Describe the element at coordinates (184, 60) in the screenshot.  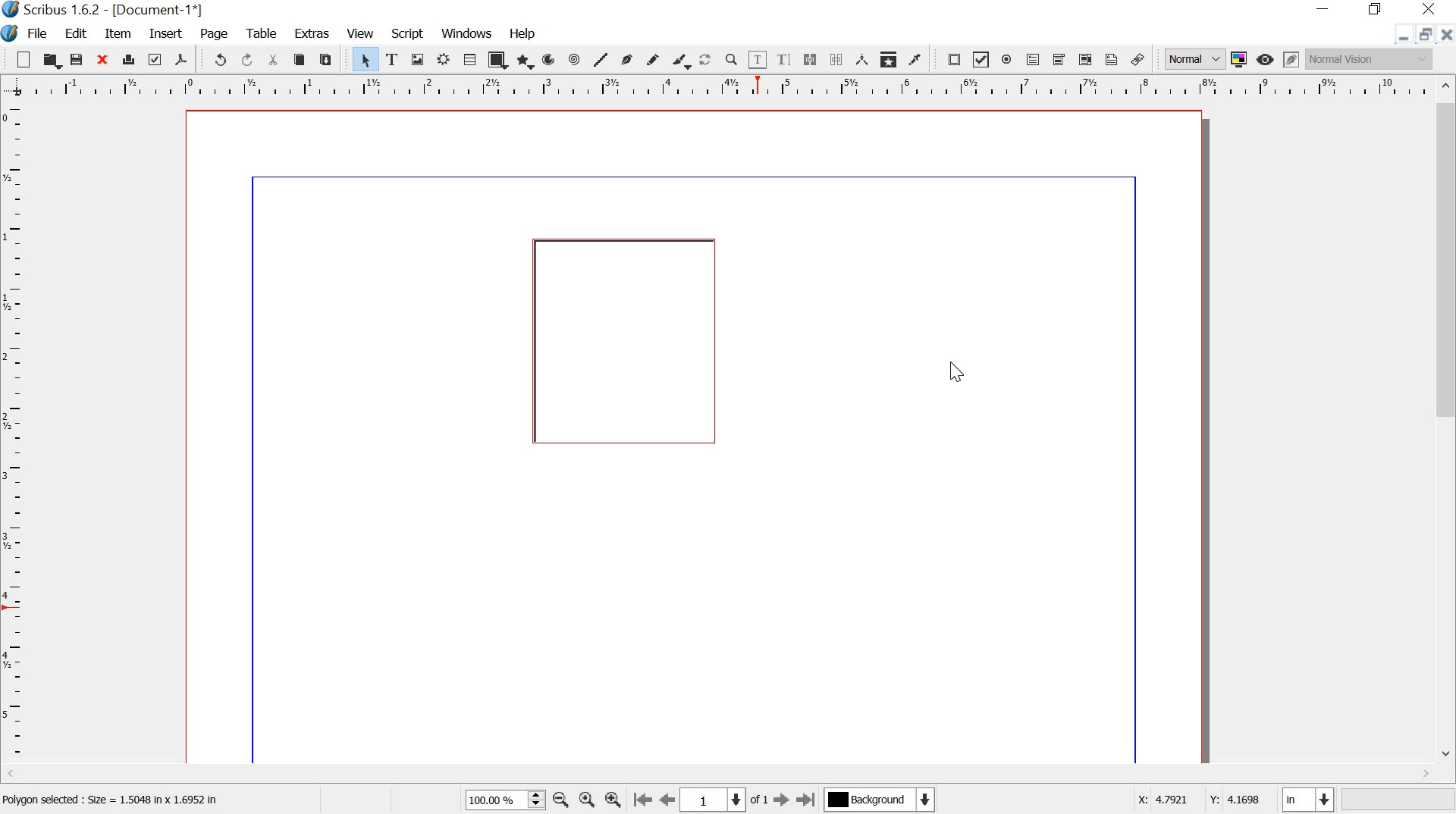
I see `save as pdf` at that location.